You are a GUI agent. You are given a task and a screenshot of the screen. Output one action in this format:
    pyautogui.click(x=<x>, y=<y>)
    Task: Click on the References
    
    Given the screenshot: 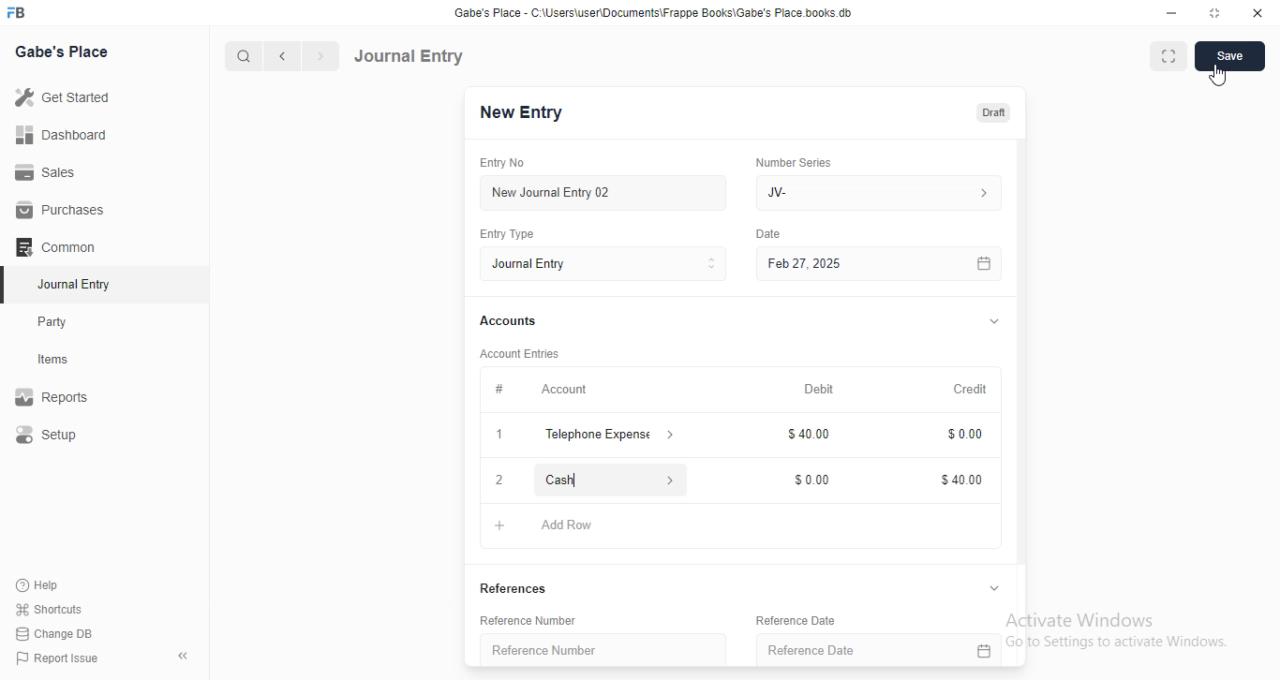 What is the action you would take?
    pyautogui.click(x=511, y=588)
    